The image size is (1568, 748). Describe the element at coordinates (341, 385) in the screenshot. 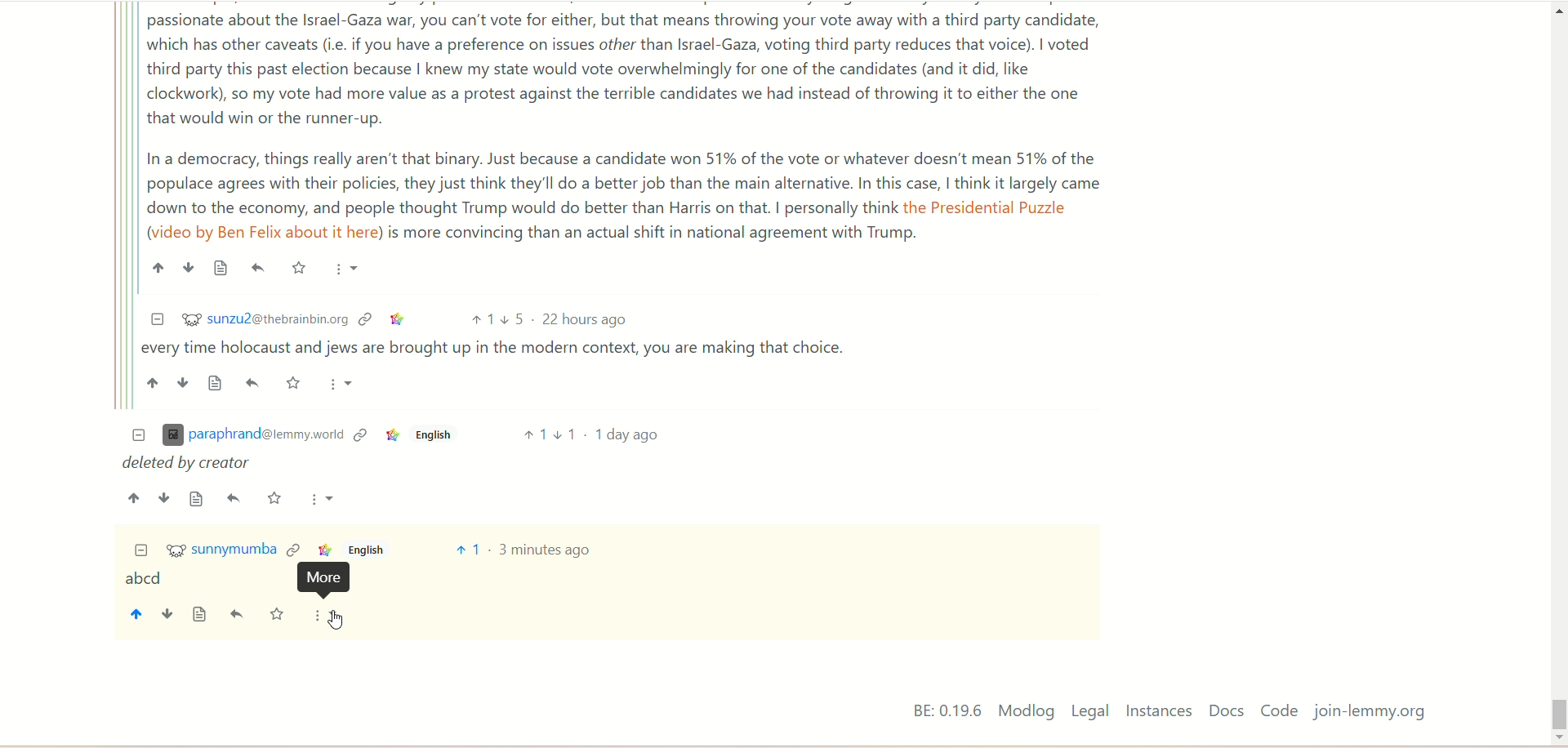

I see `More` at that location.